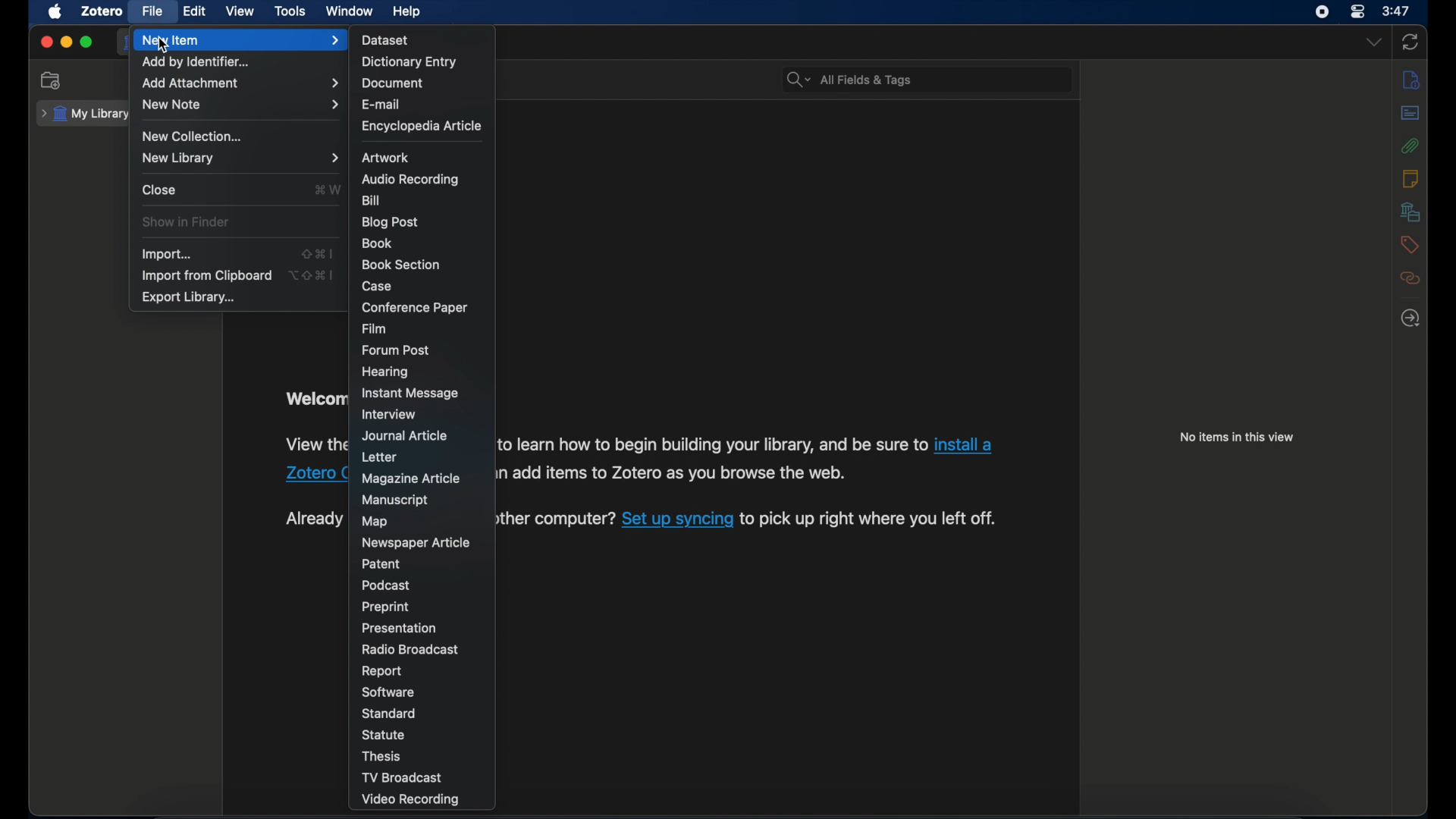 The width and height of the screenshot is (1456, 819). I want to click on close, so click(160, 190).